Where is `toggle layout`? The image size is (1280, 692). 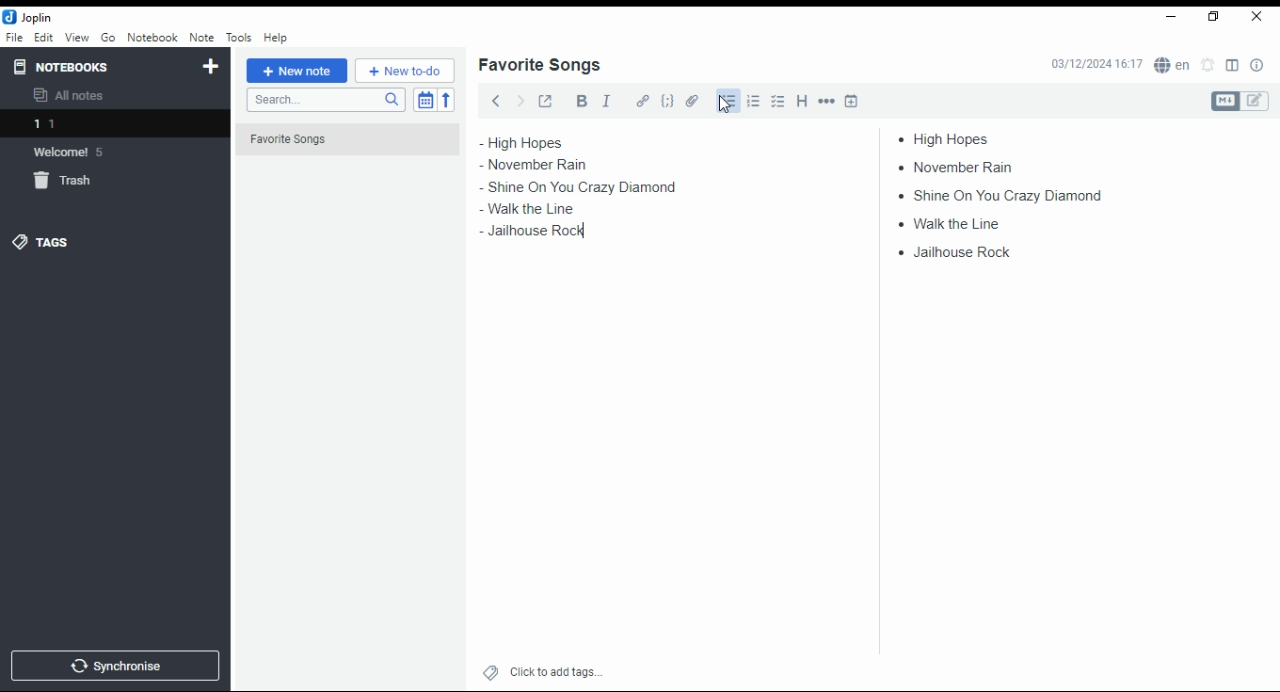 toggle layout is located at coordinates (1233, 66).